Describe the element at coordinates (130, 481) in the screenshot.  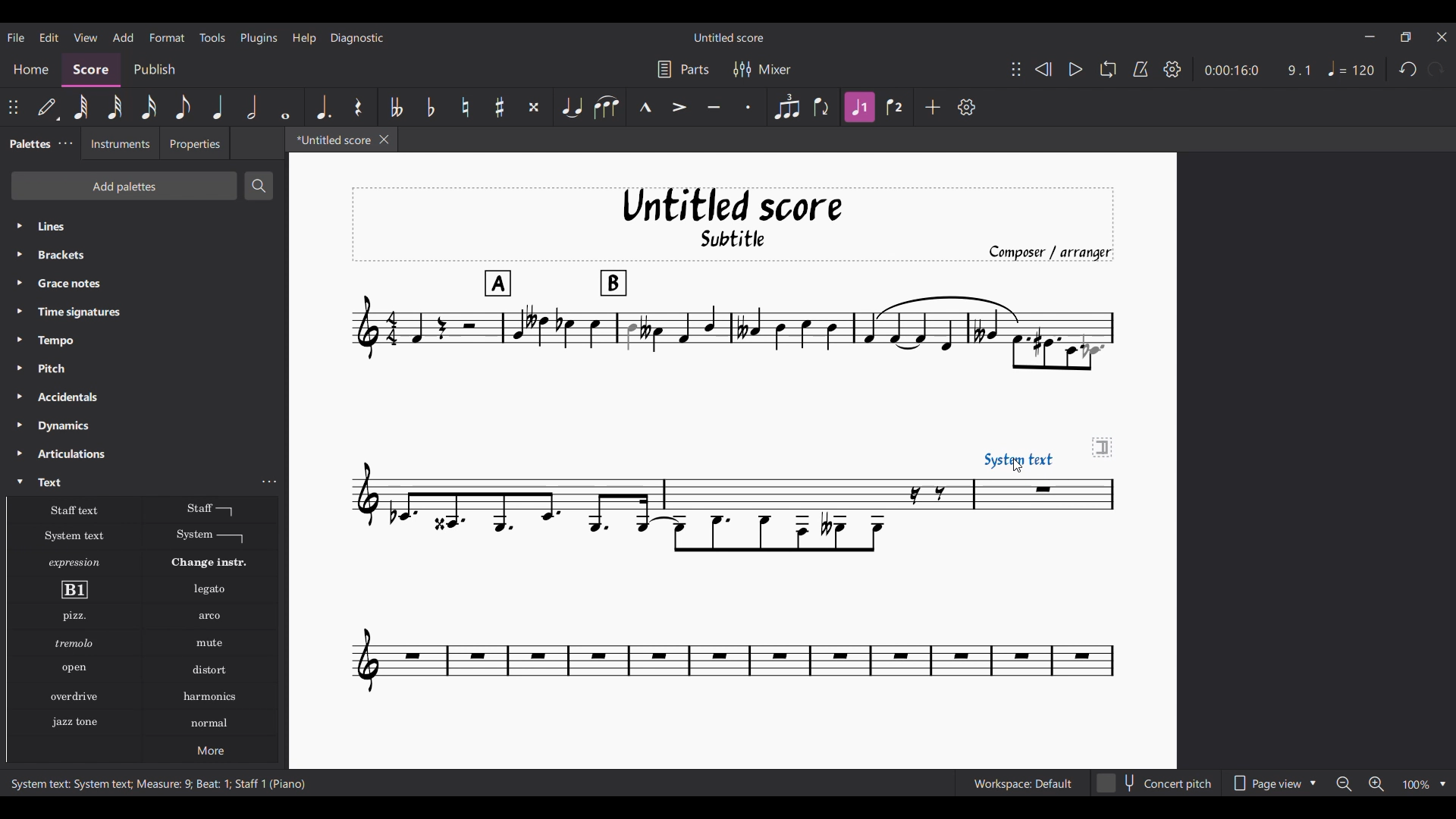
I see `Text, highlighted by cursor` at that location.